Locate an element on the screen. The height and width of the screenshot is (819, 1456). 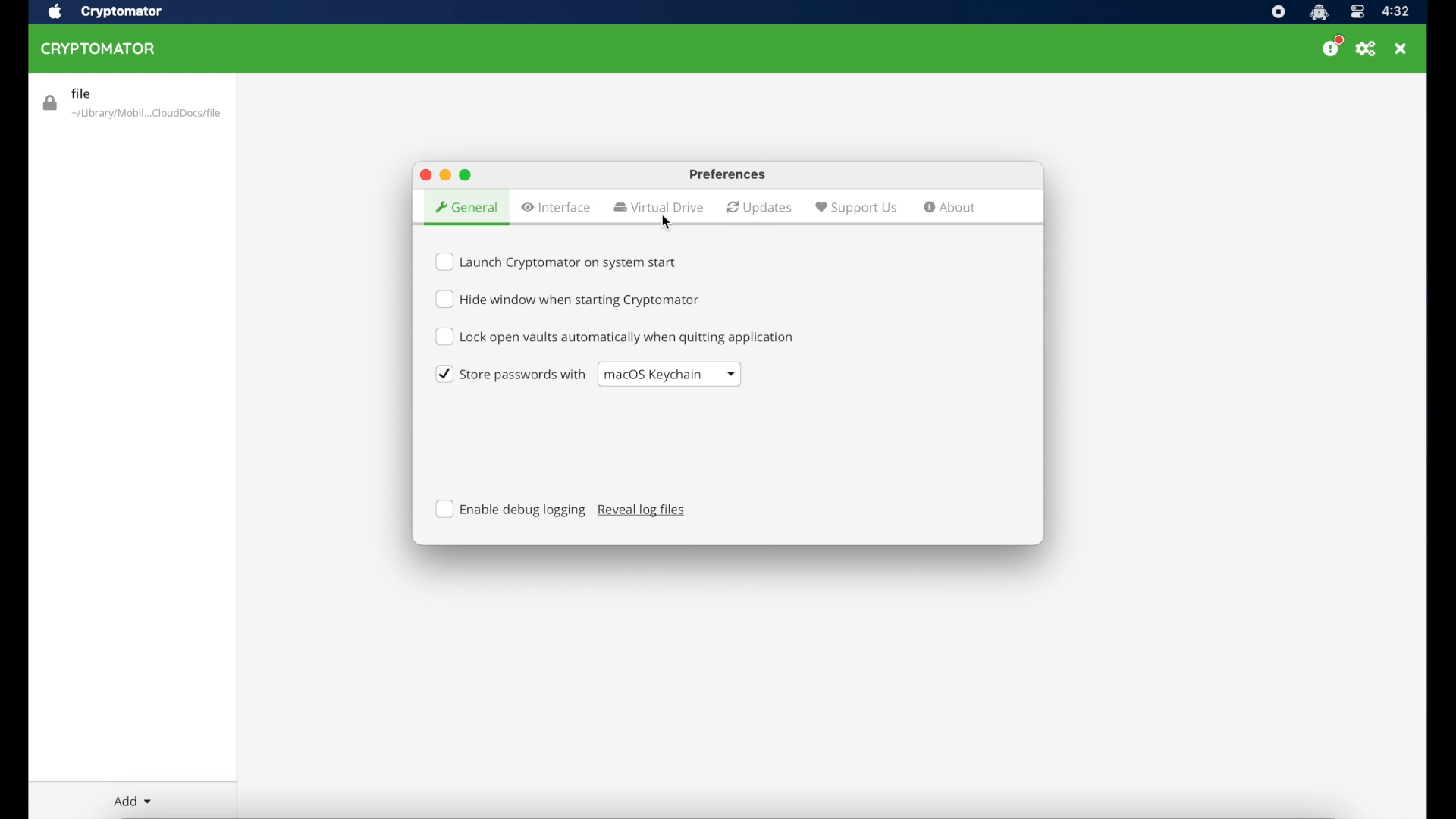
enable debug logging is located at coordinates (510, 509).